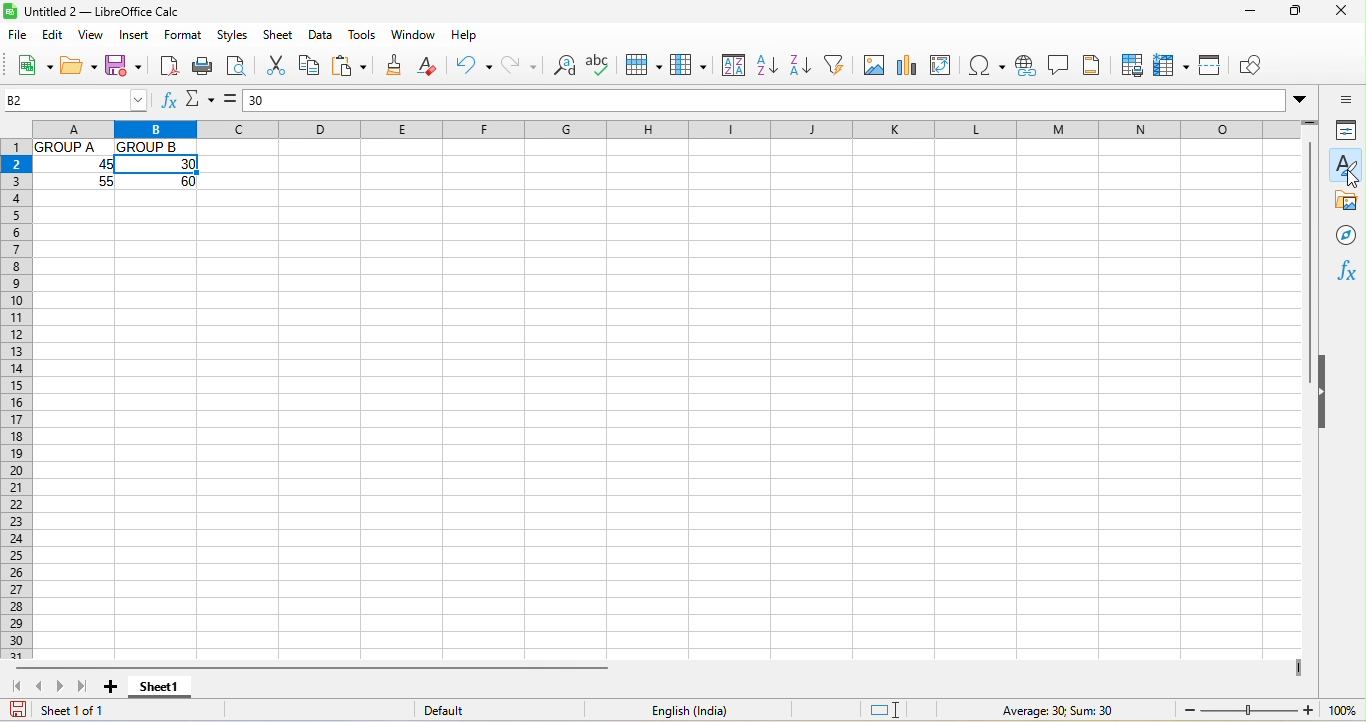 The image size is (1366, 722). I want to click on navigators, so click(1347, 235).